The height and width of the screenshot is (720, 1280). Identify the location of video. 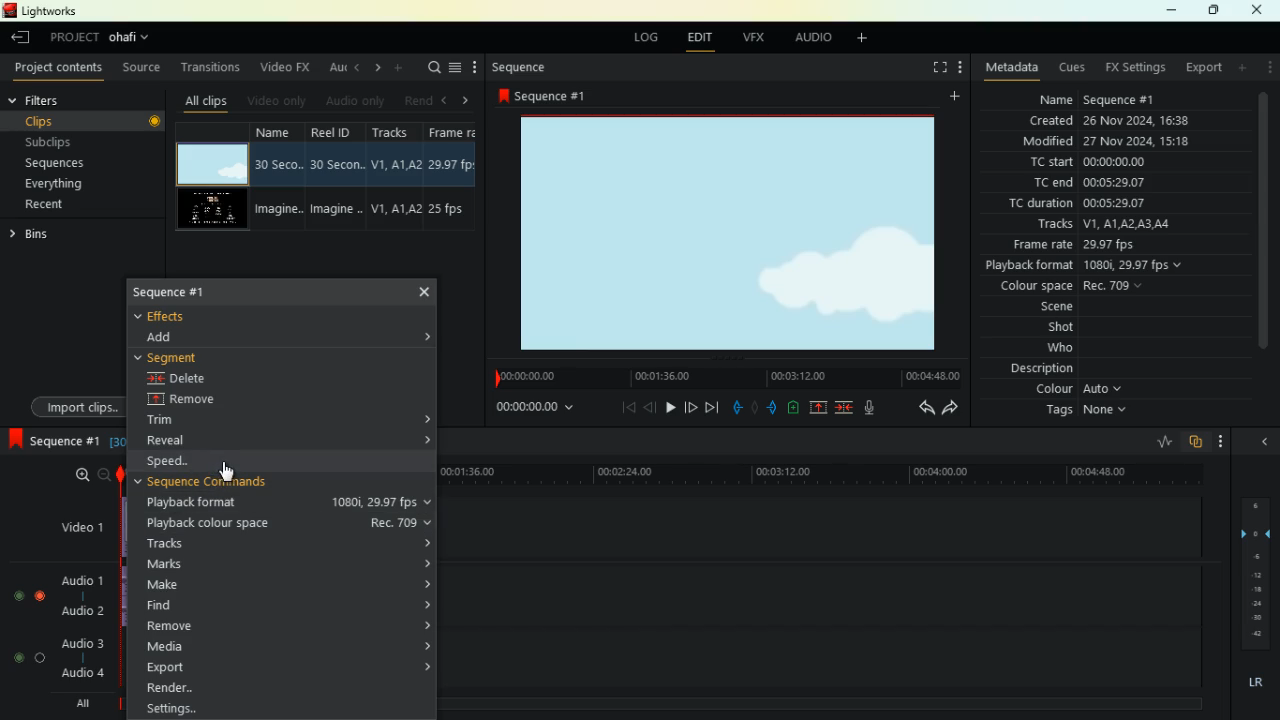
(208, 163).